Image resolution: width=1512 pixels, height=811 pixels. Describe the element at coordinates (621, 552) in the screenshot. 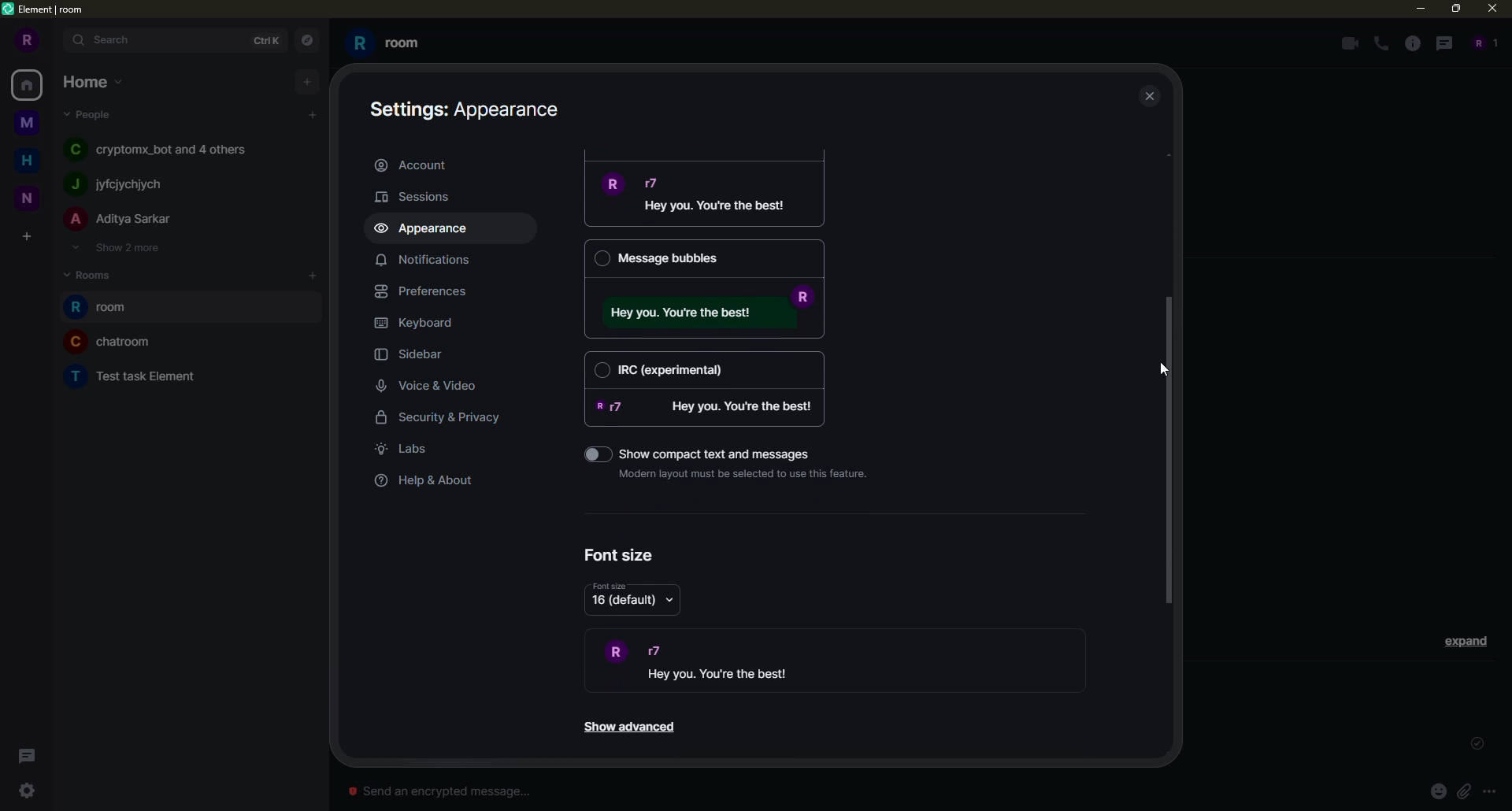

I see `font size` at that location.